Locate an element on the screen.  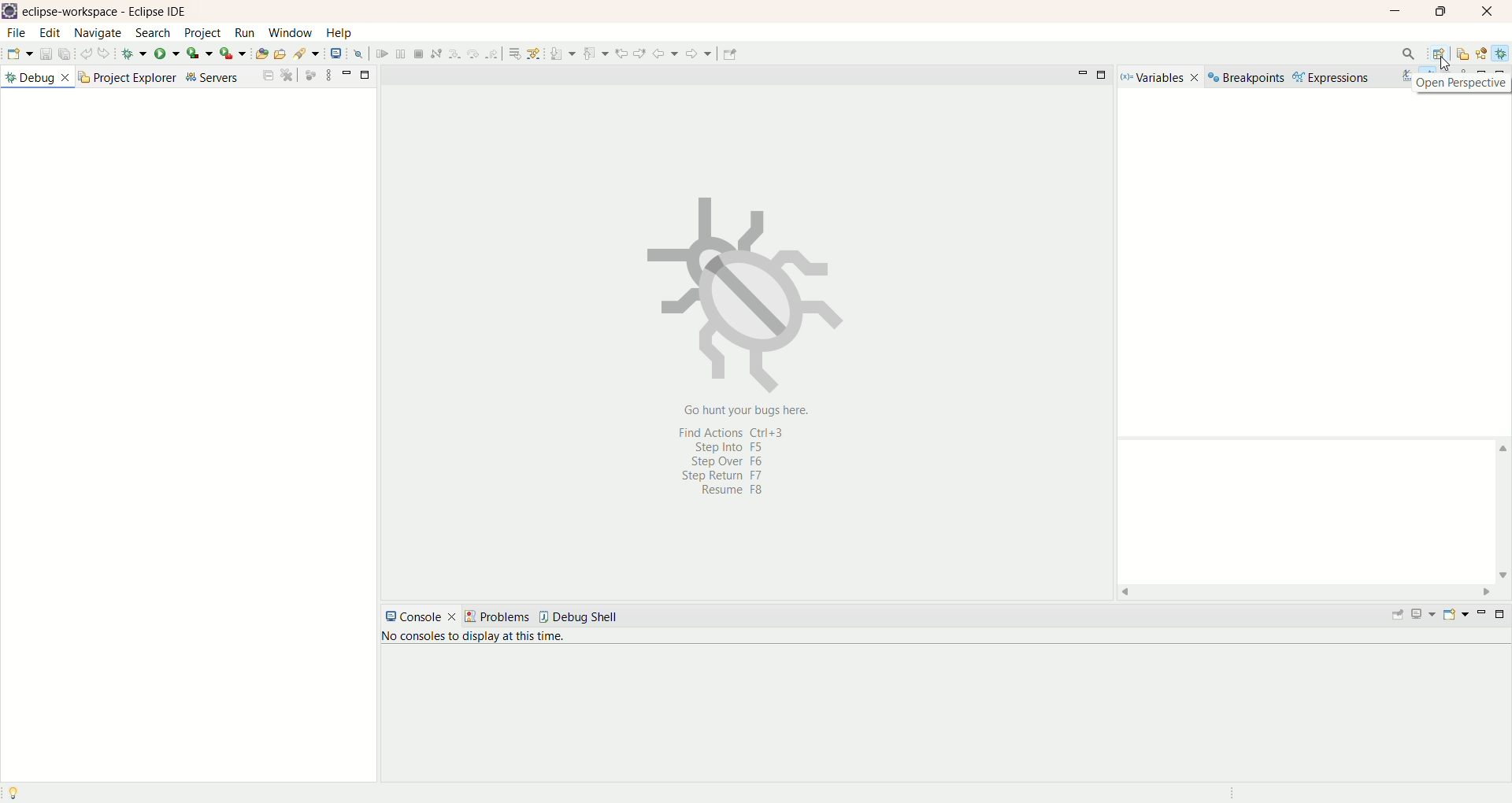
use step filters is located at coordinates (648, 54).